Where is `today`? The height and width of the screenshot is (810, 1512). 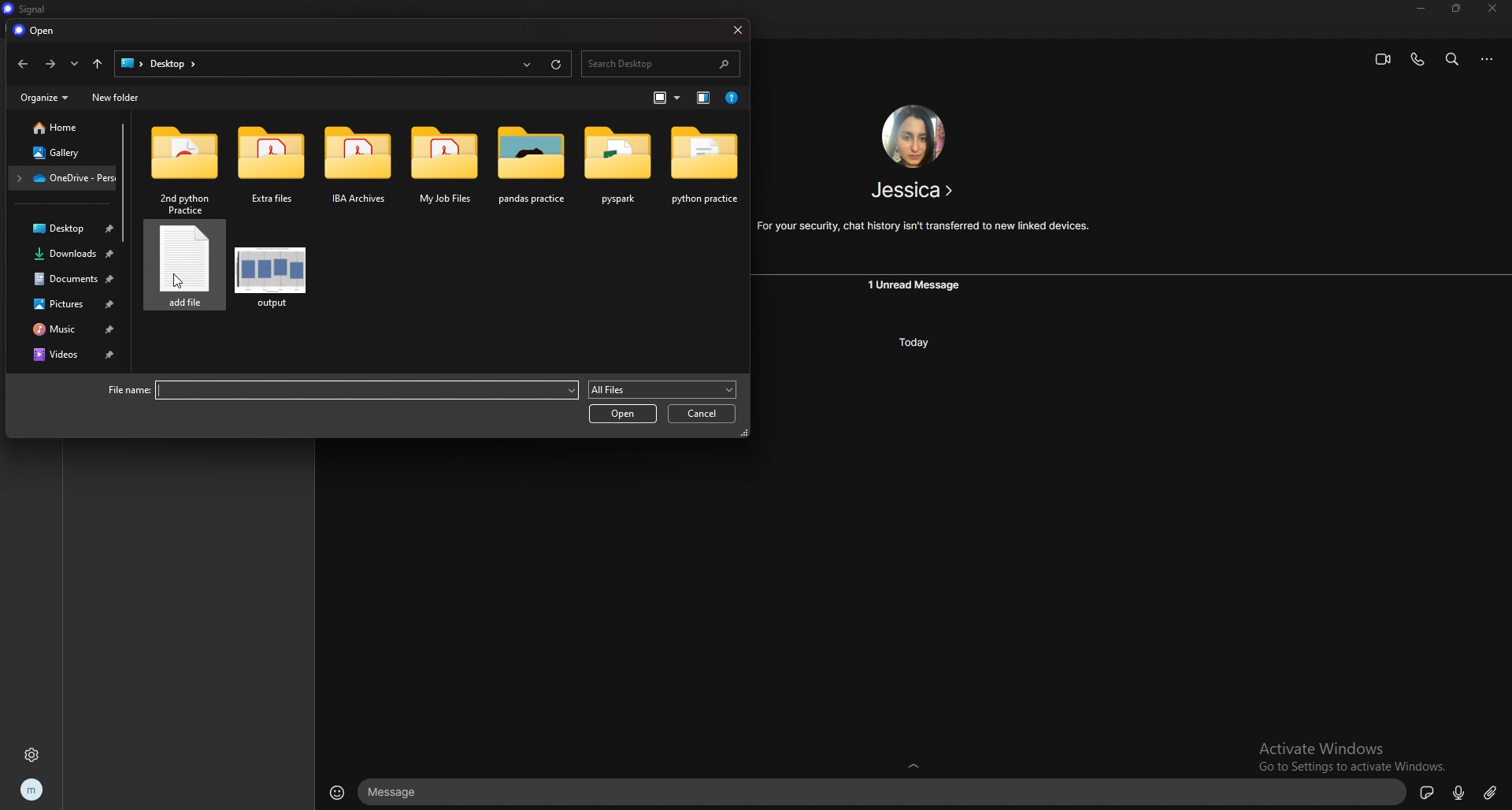 today is located at coordinates (911, 342).